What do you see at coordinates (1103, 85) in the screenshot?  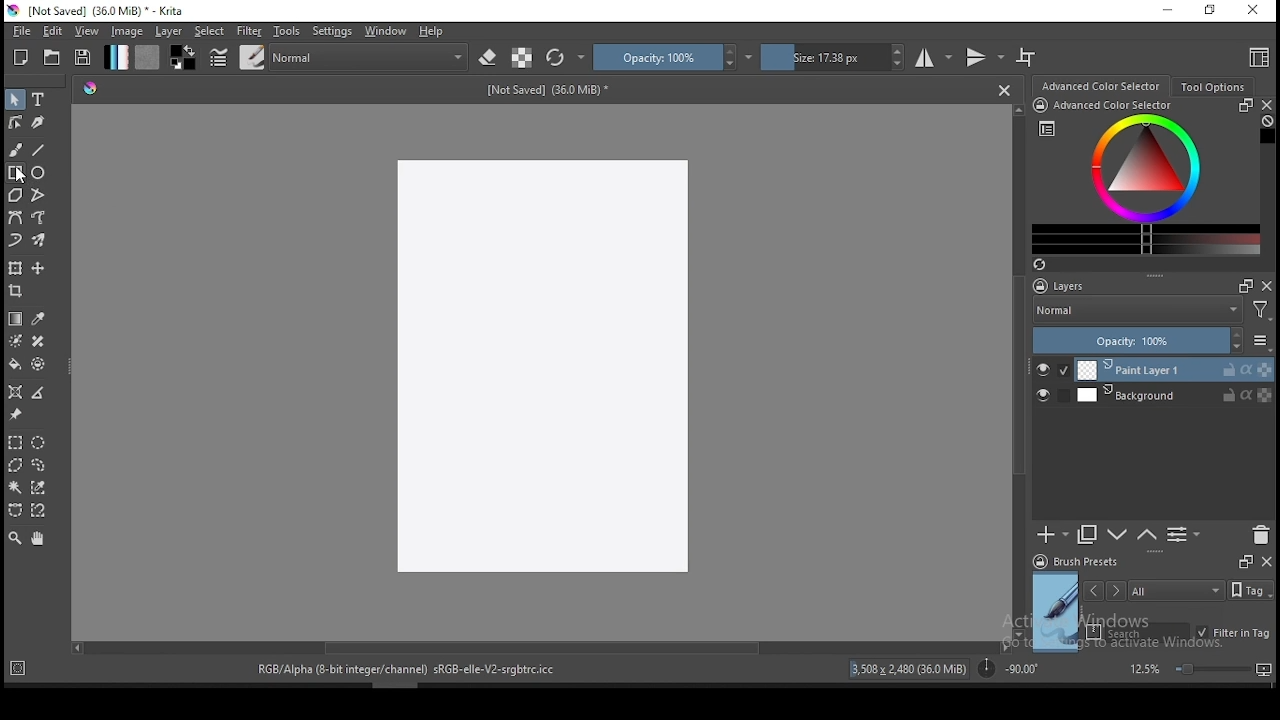 I see `advance color selector` at bounding box center [1103, 85].